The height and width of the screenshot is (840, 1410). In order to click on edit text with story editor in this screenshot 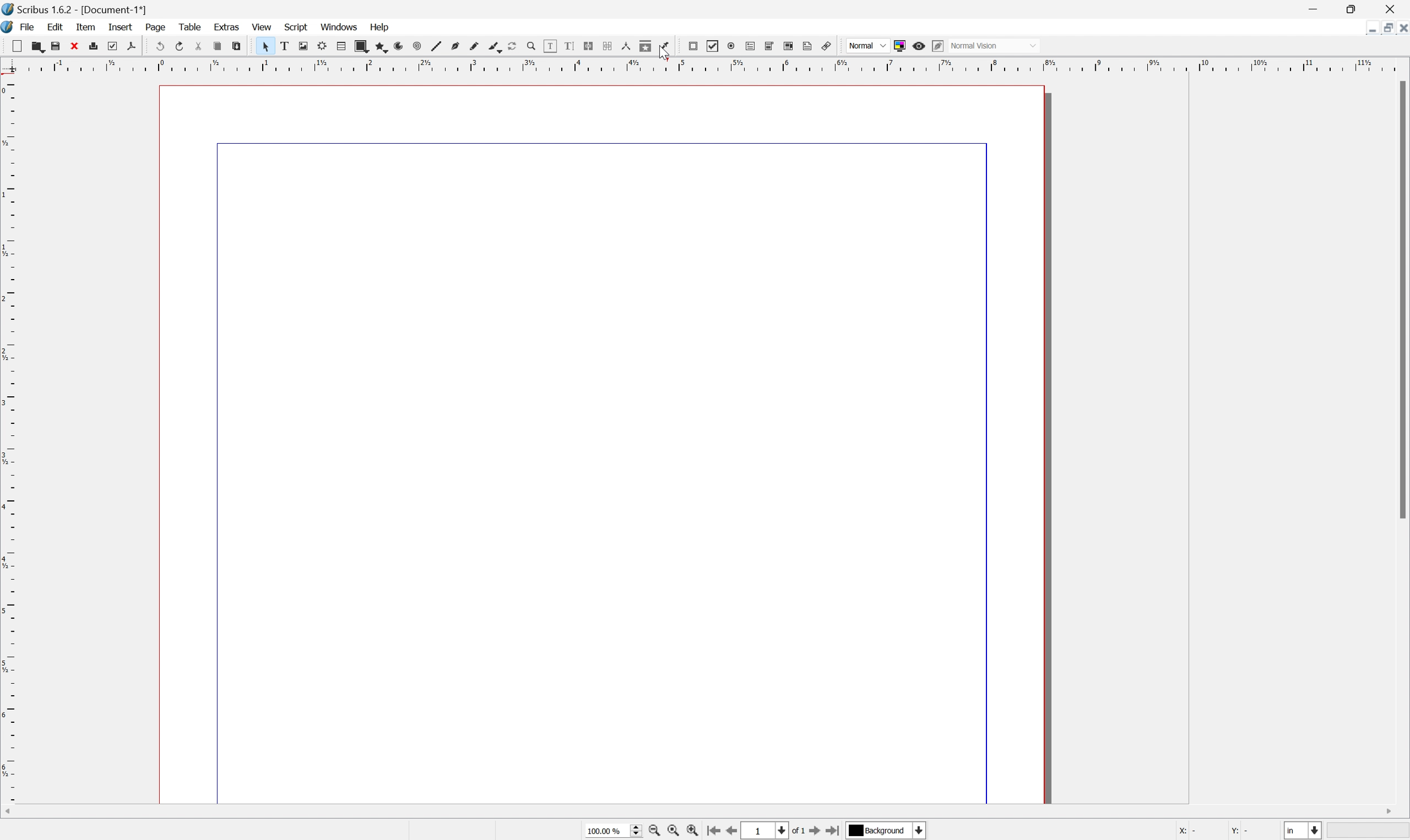, I will do `click(569, 45)`.